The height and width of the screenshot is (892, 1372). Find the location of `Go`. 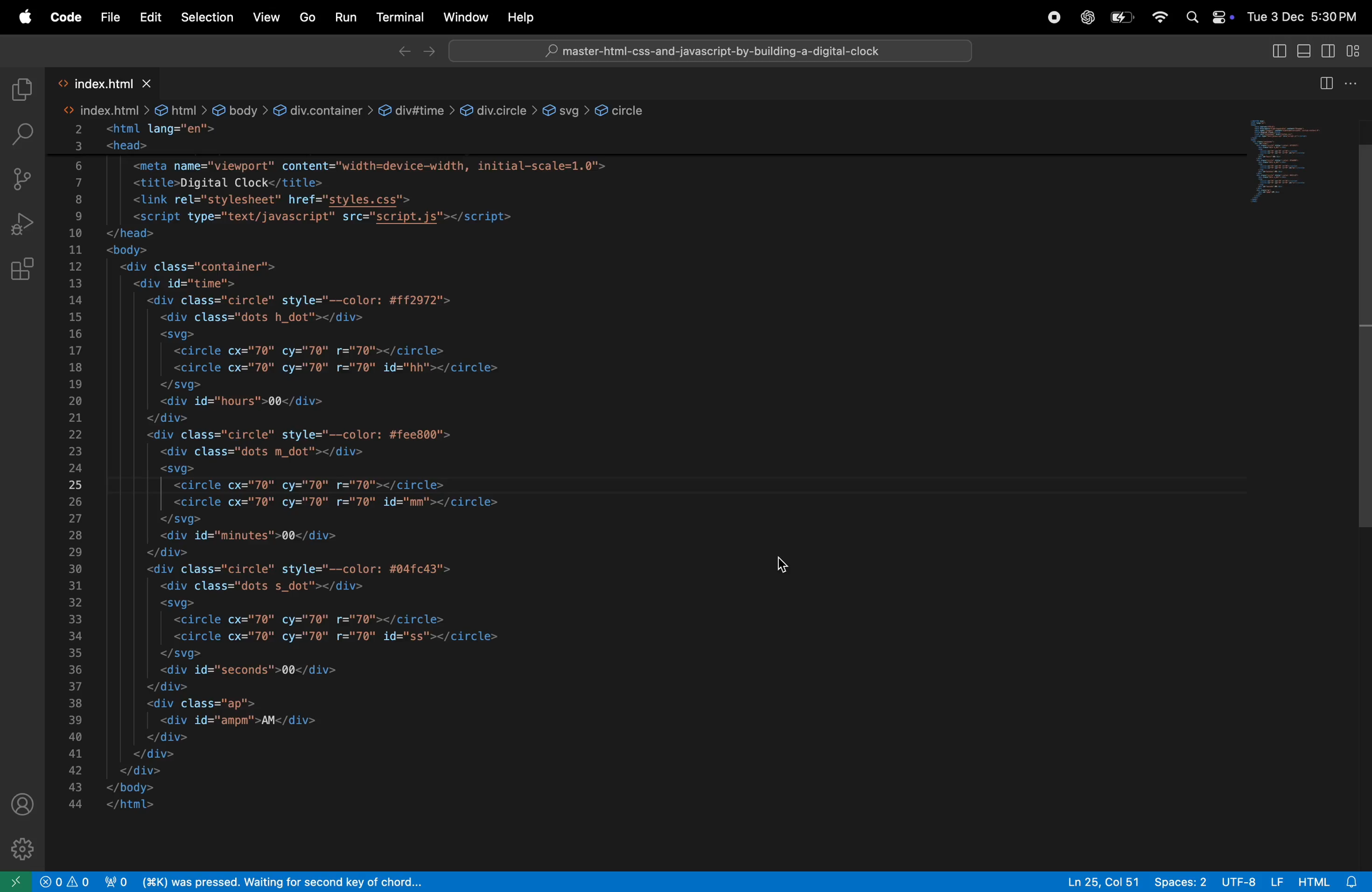

Go is located at coordinates (307, 17).